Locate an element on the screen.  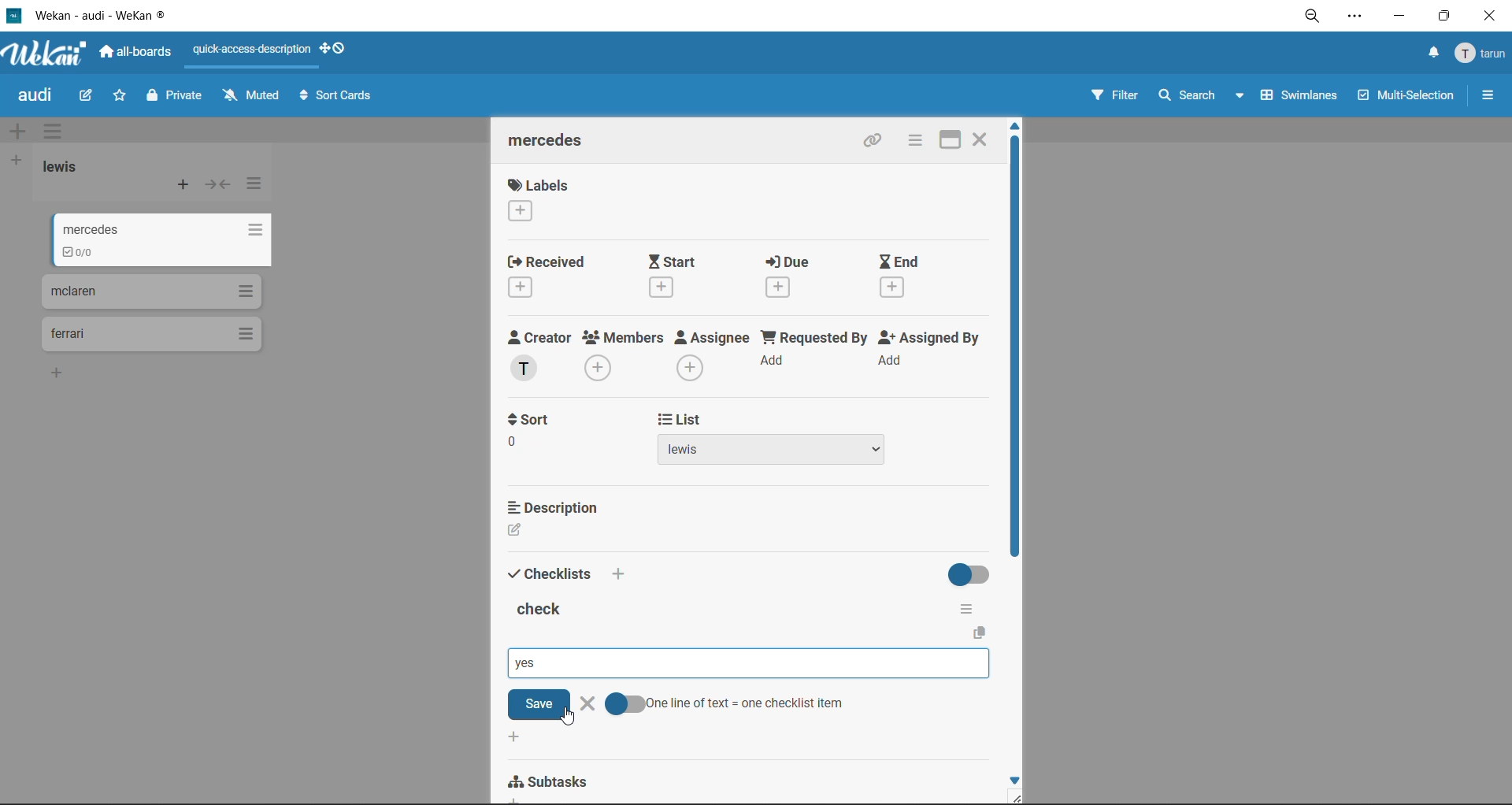
multiselection is located at coordinates (1407, 98).